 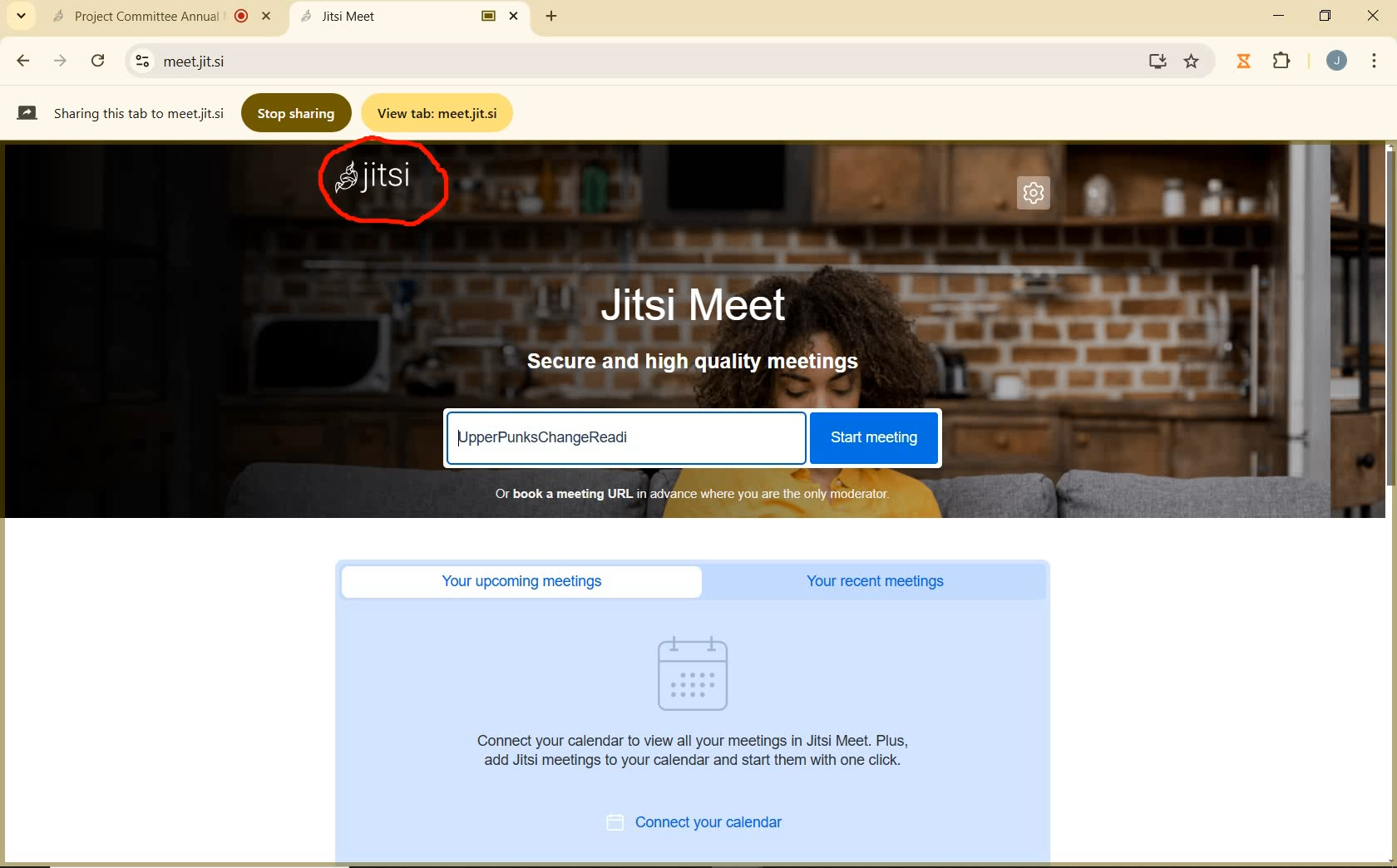 What do you see at coordinates (552, 16) in the screenshot?
I see `ADD NEW TAB` at bounding box center [552, 16].